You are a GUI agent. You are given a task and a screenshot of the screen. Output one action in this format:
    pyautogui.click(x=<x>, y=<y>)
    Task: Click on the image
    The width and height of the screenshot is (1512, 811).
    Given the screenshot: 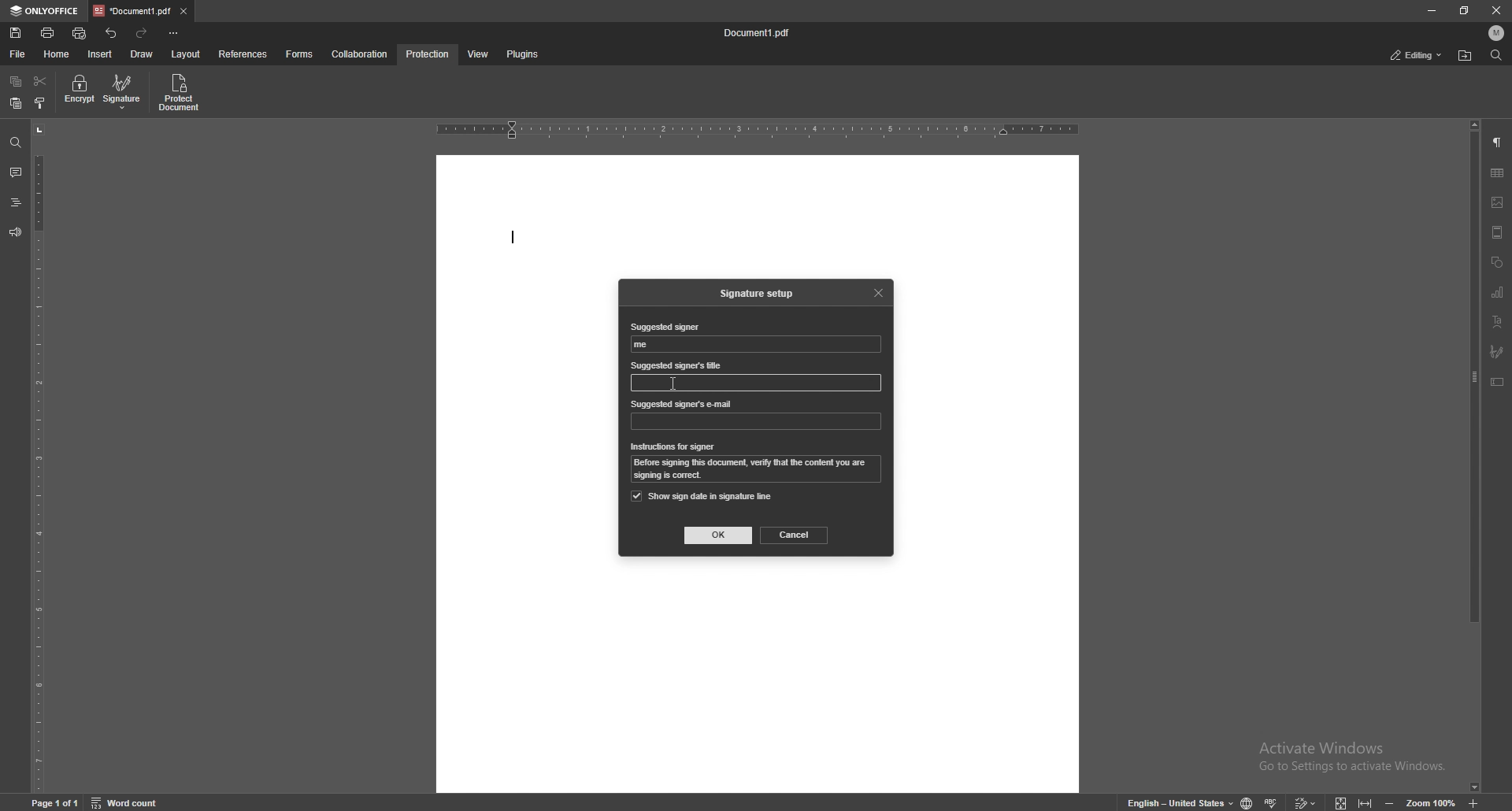 What is the action you would take?
    pyautogui.click(x=1498, y=202)
    